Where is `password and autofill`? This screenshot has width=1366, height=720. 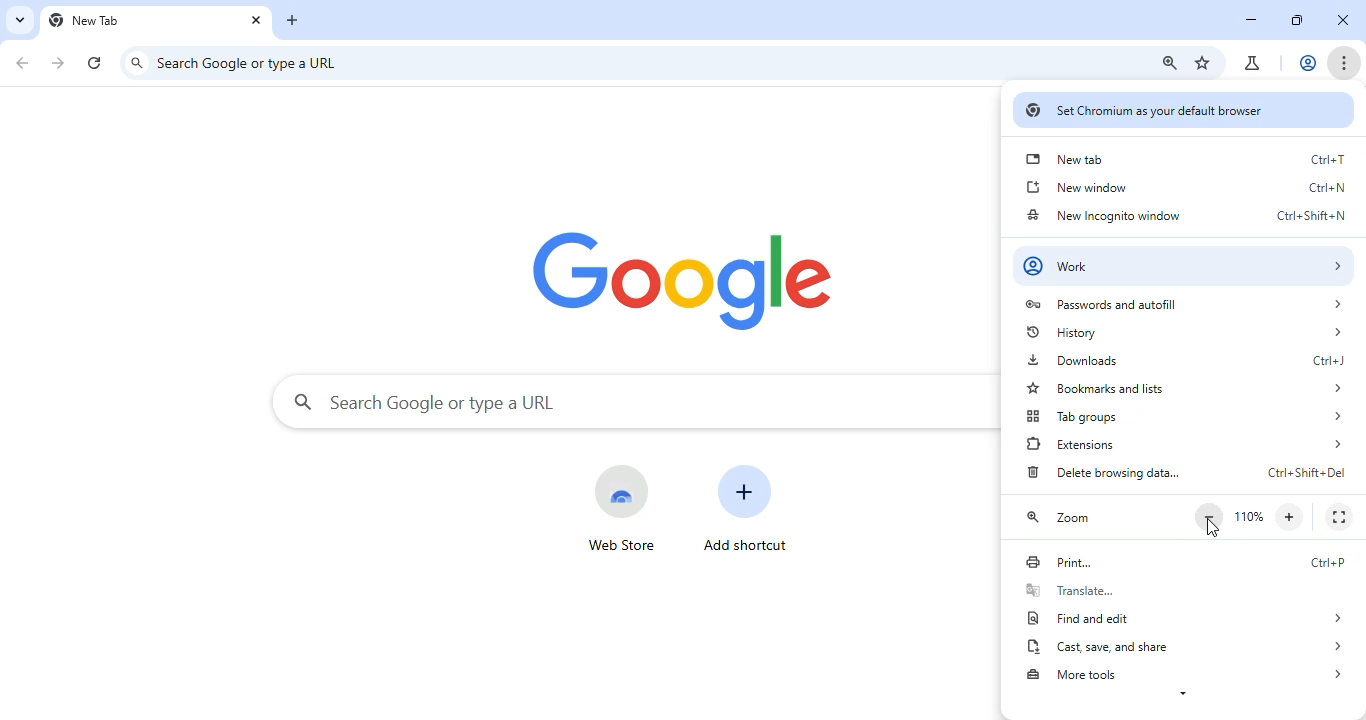
password and autofill is located at coordinates (1182, 304).